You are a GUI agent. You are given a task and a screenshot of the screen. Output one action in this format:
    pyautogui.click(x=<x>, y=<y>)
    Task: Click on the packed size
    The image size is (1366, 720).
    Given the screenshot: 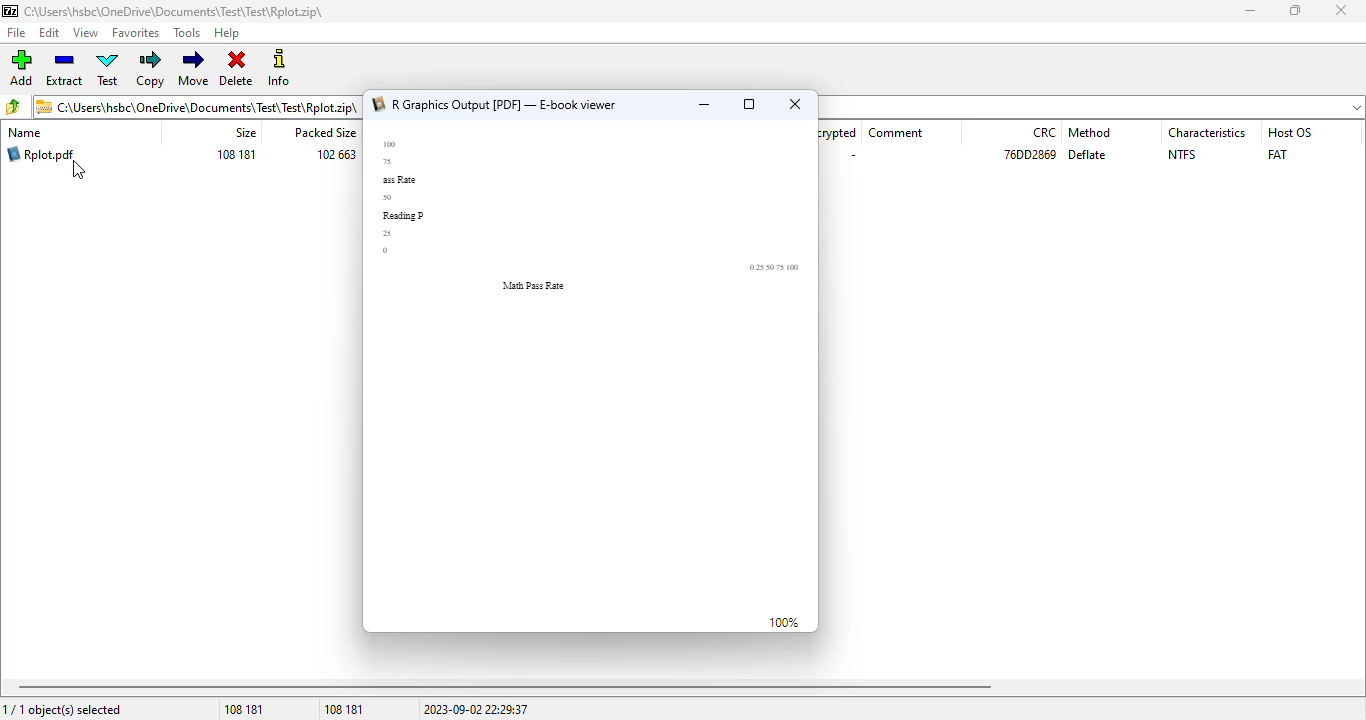 What is the action you would take?
    pyautogui.click(x=322, y=133)
    